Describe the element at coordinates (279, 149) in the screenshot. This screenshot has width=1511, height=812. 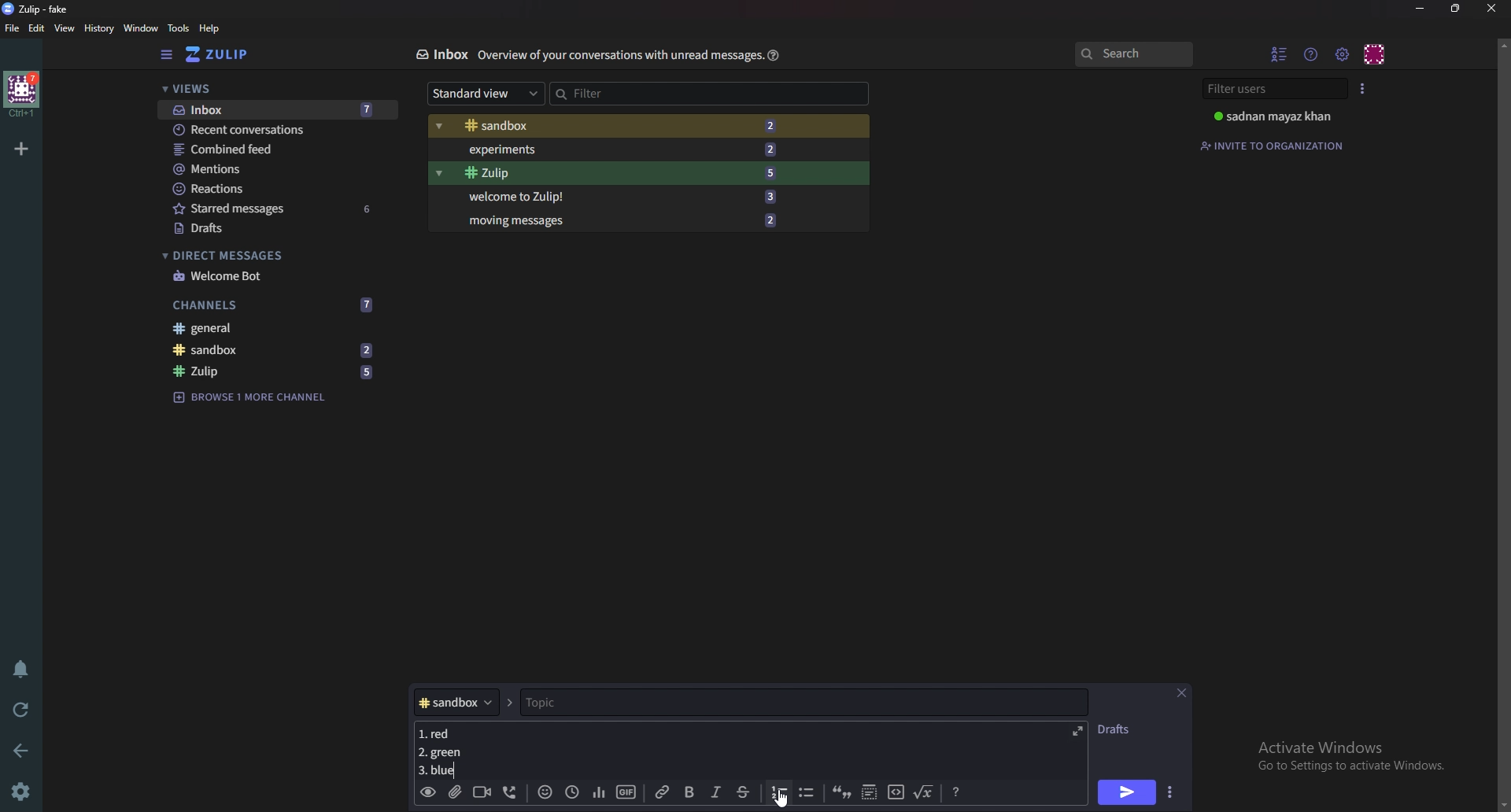
I see `Combine feed` at that location.